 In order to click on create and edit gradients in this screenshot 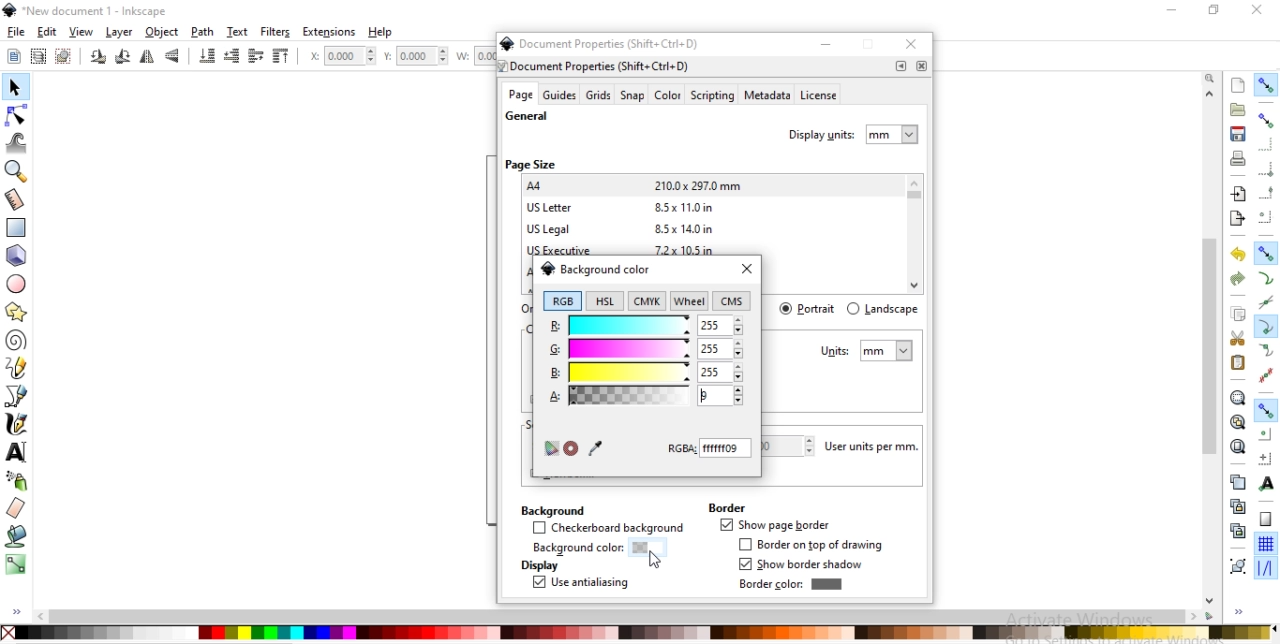, I will do `click(16, 564)`.